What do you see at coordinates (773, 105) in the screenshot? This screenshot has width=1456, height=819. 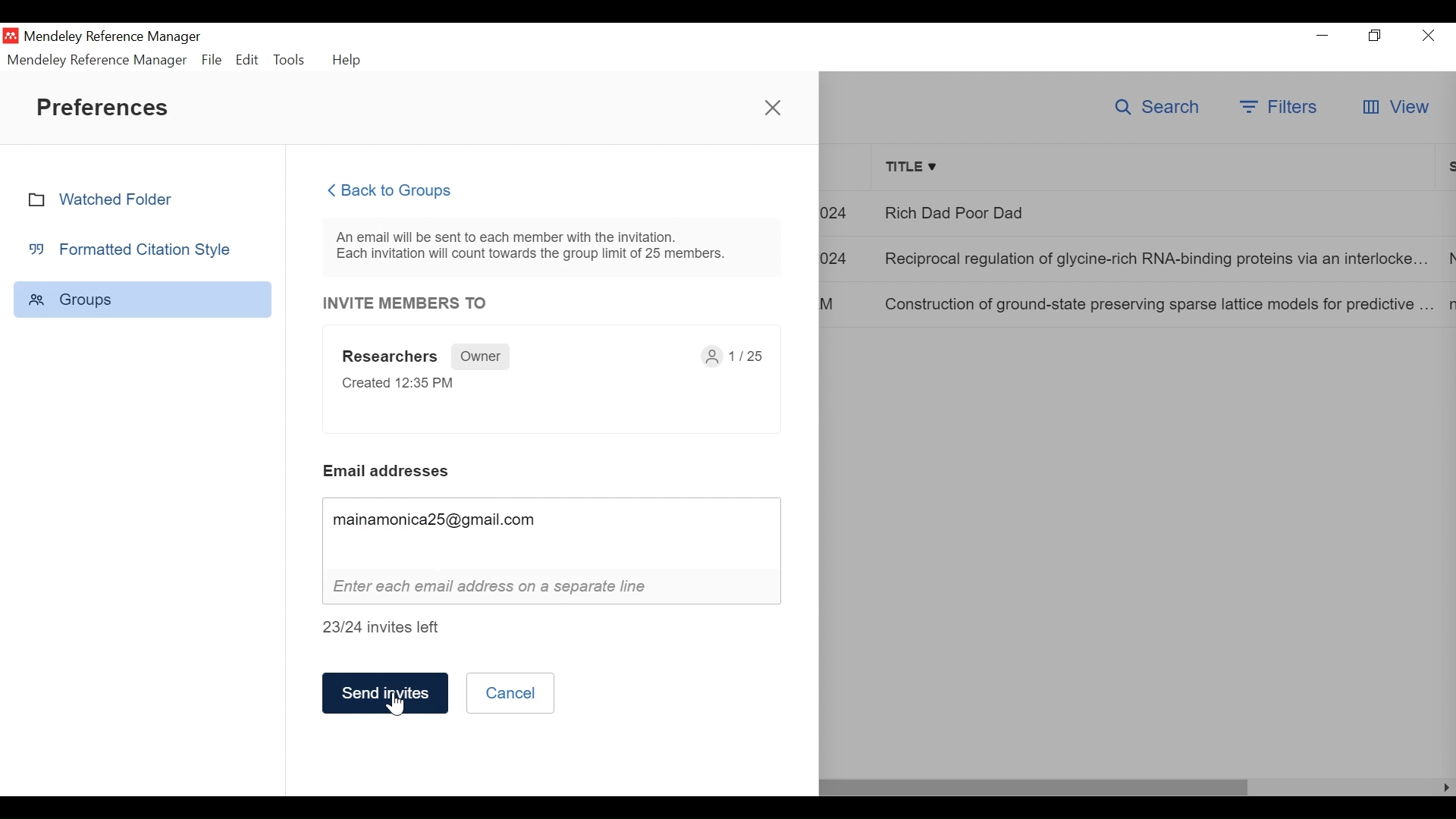 I see `Close` at bounding box center [773, 105].